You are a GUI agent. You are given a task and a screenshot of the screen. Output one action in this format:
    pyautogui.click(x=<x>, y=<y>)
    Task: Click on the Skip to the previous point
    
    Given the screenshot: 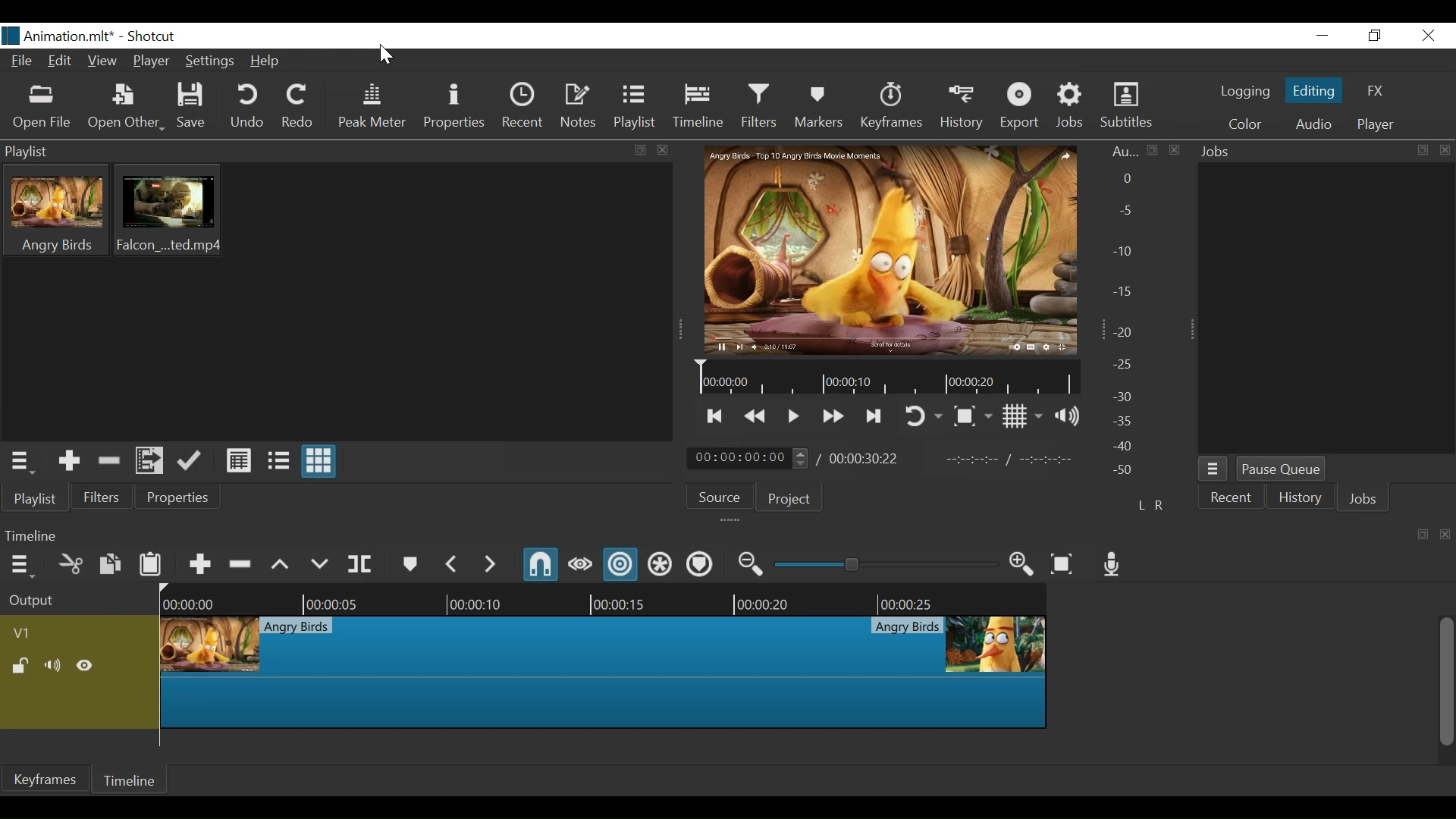 What is the action you would take?
    pyautogui.click(x=715, y=418)
    